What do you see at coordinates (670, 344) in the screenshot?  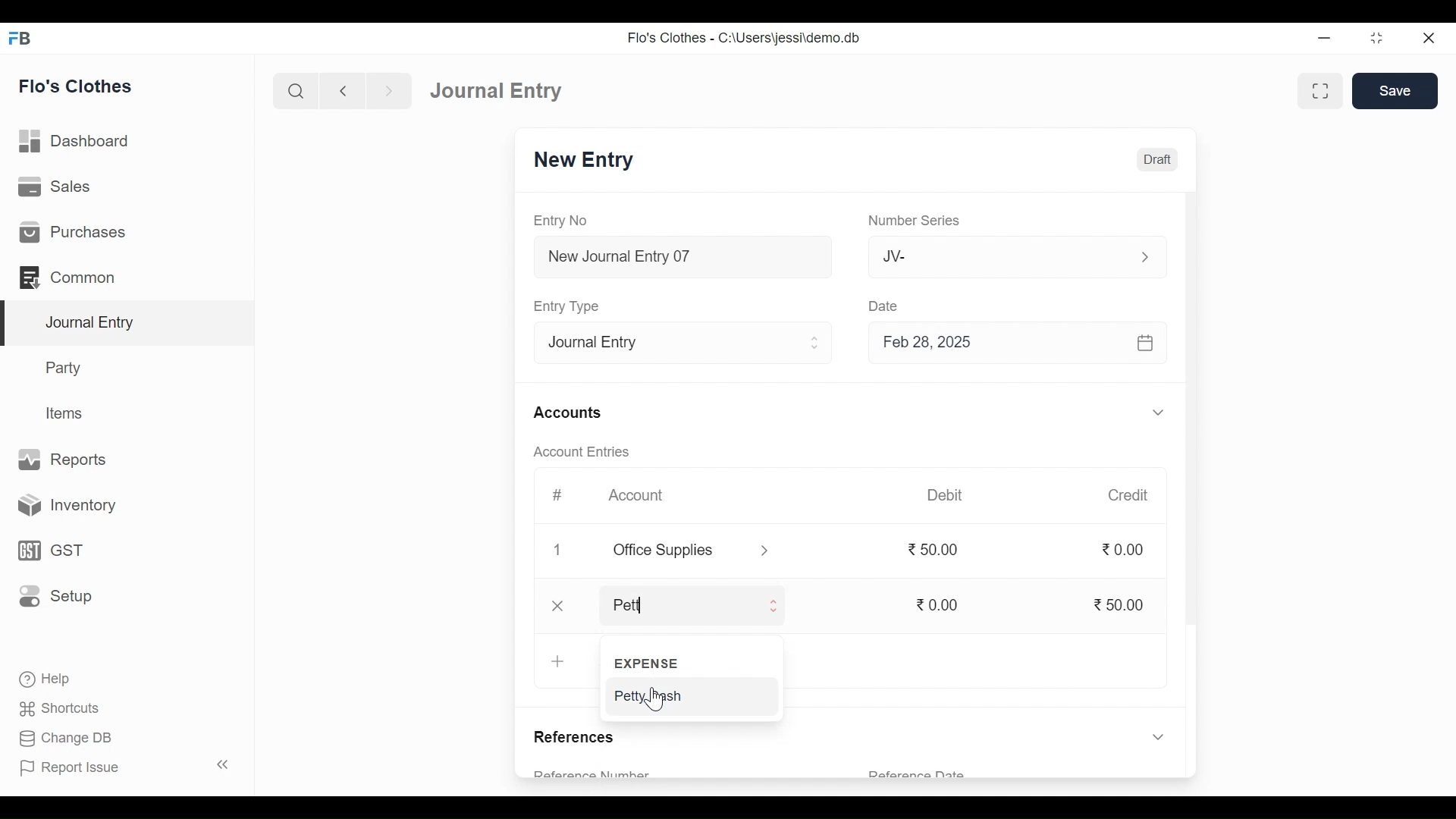 I see `Entry Type` at bounding box center [670, 344].